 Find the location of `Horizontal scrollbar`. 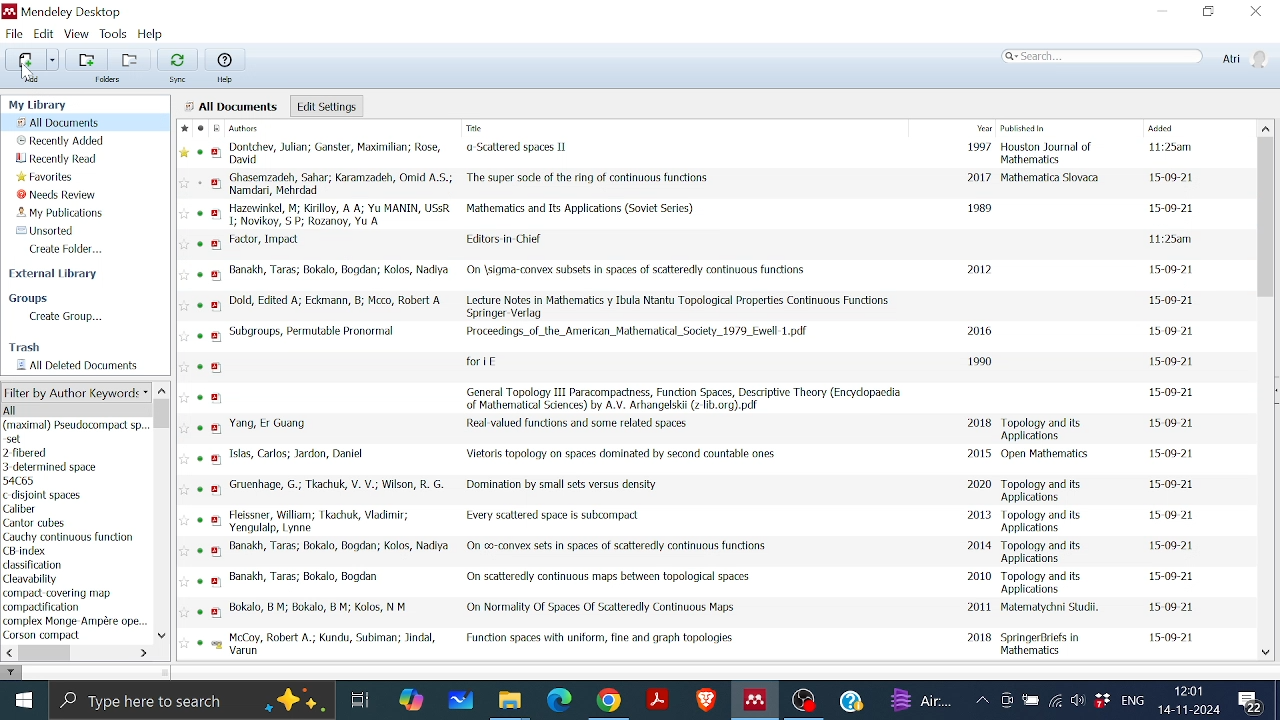

Horizontal scrollbar is located at coordinates (46, 652).